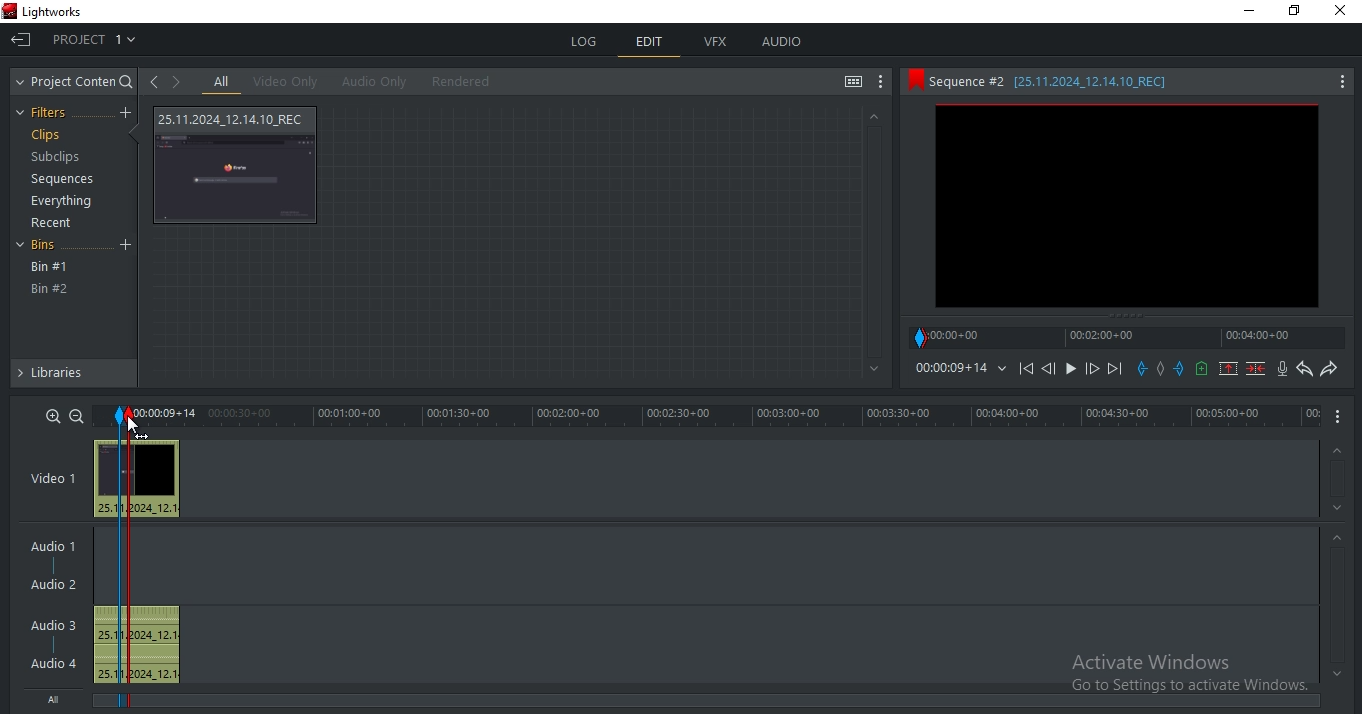  I want to click on add an out mark, so click(1180, 369).